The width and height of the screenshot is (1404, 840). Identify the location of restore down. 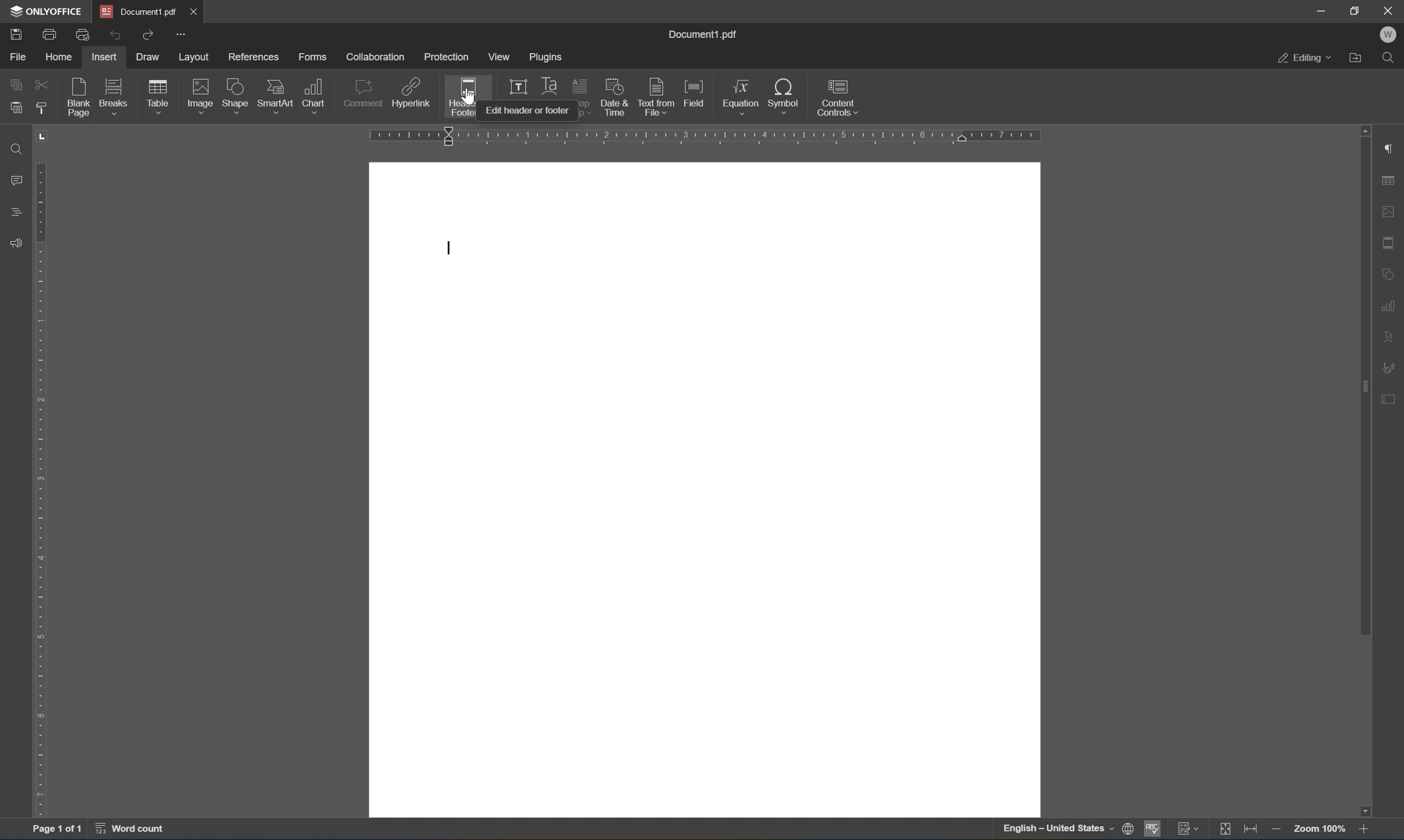
(1358, 11).